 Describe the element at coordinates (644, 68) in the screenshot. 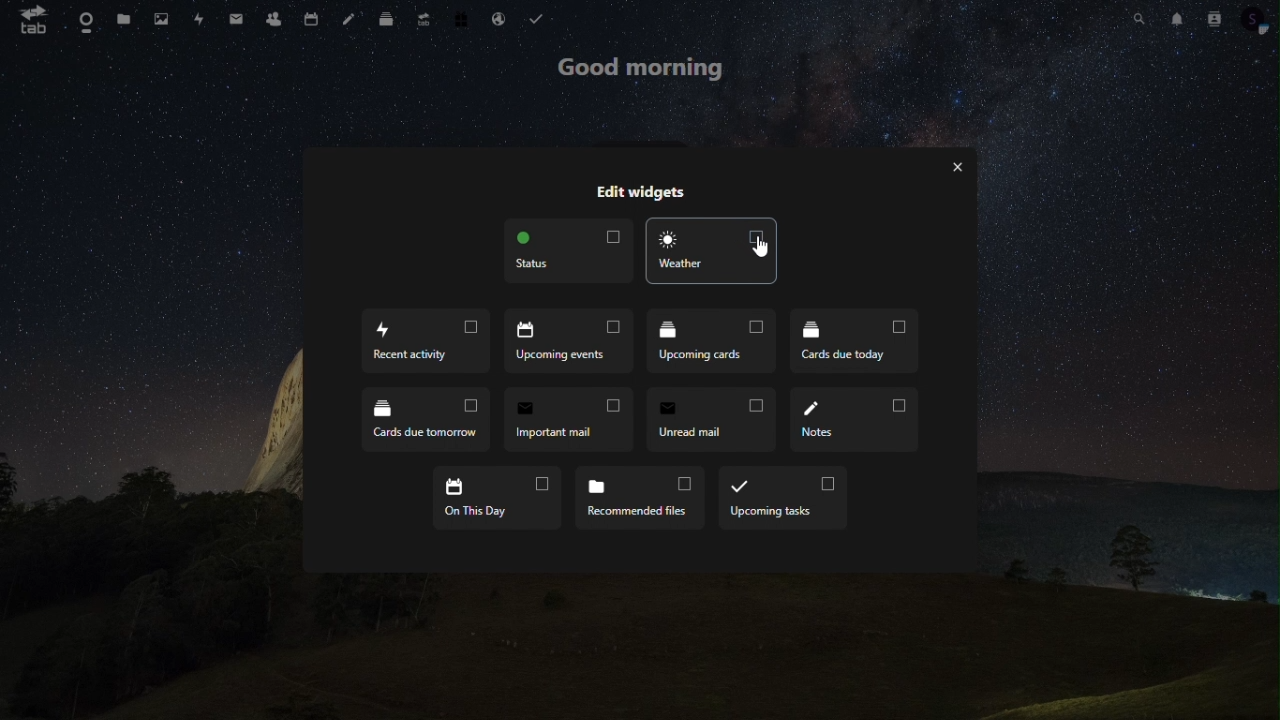

I see `good morning` at that location.